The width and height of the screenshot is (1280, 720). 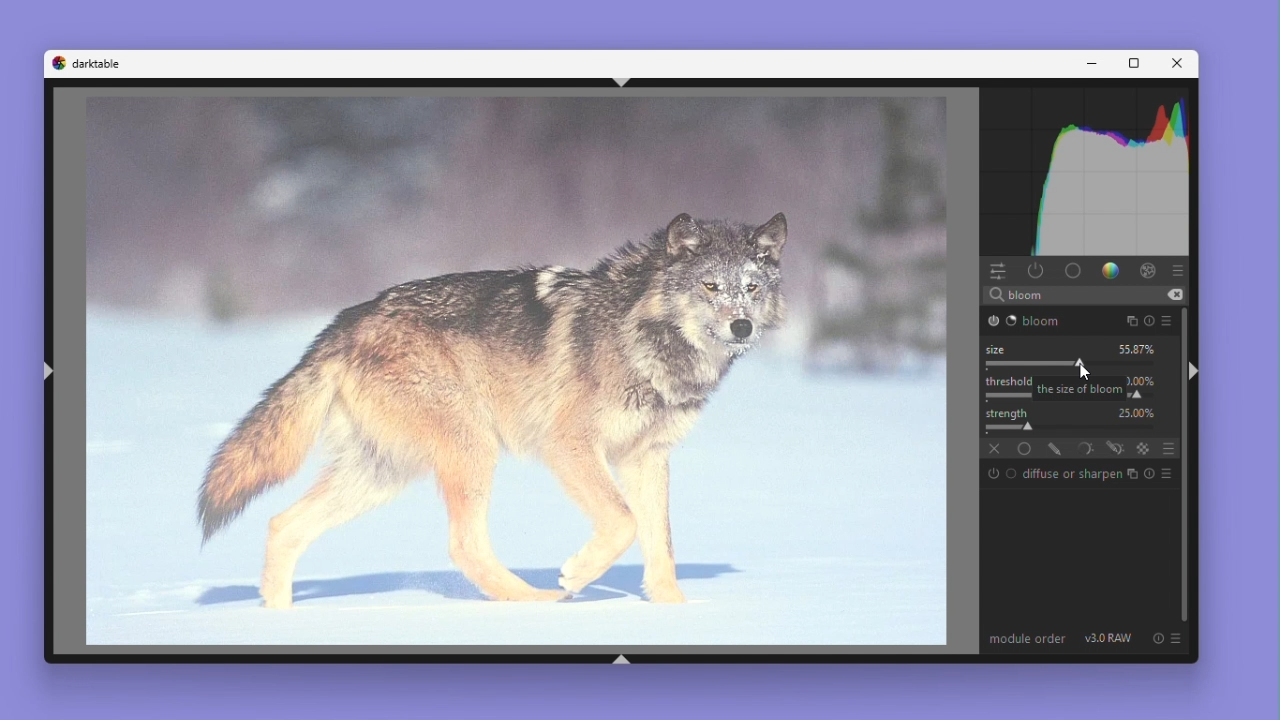 What do you see at coordinates (517, 372) in the screenshot?
I see `image` at bounding box center [517, 372].